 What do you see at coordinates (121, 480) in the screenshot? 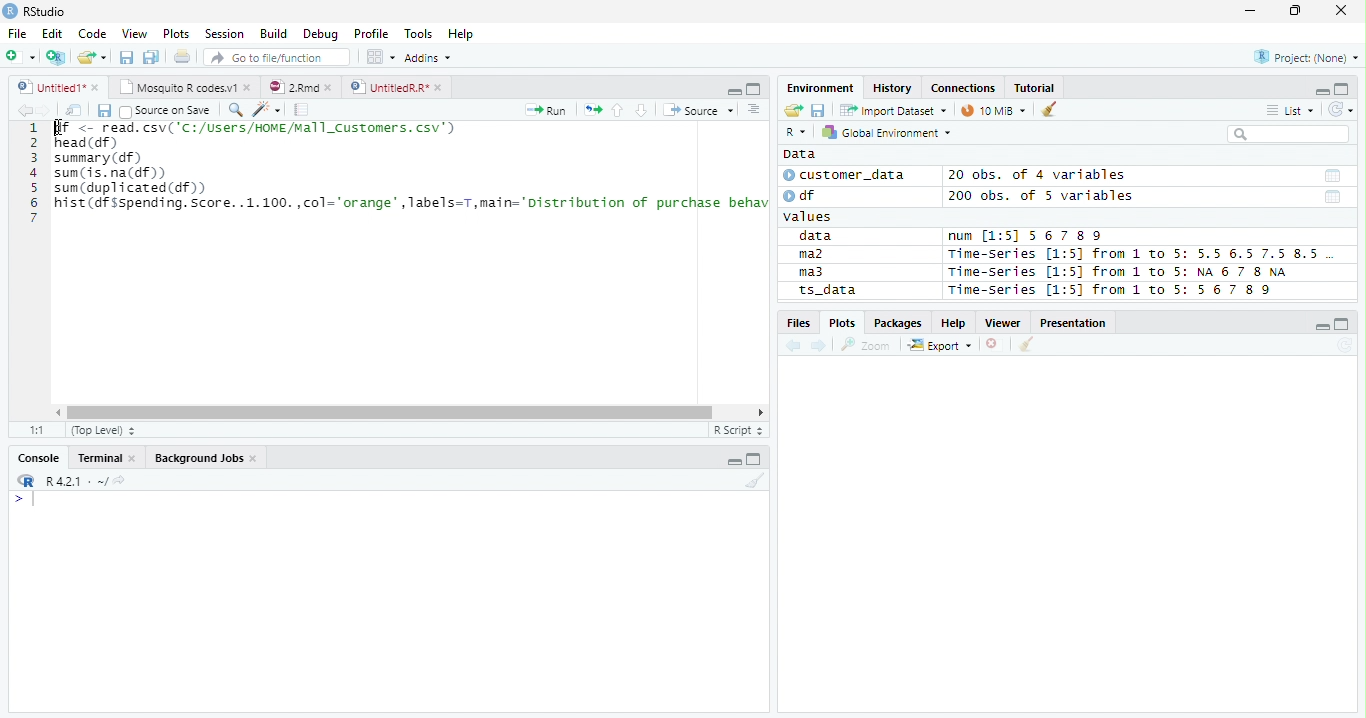
I see `View Current work directory` at bounding box center [121, 480].